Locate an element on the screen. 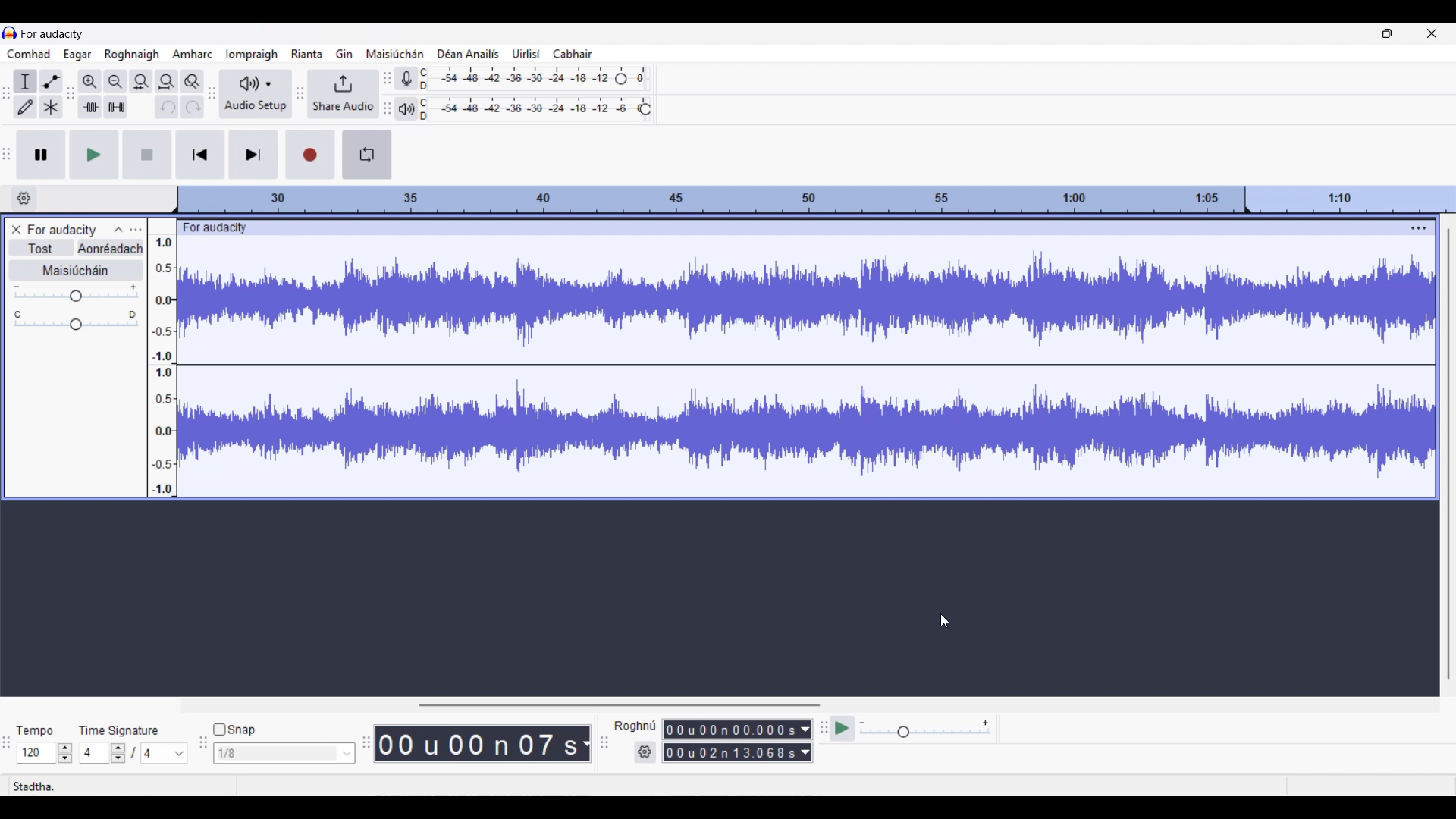  selection is located at coordinates (634, 725).